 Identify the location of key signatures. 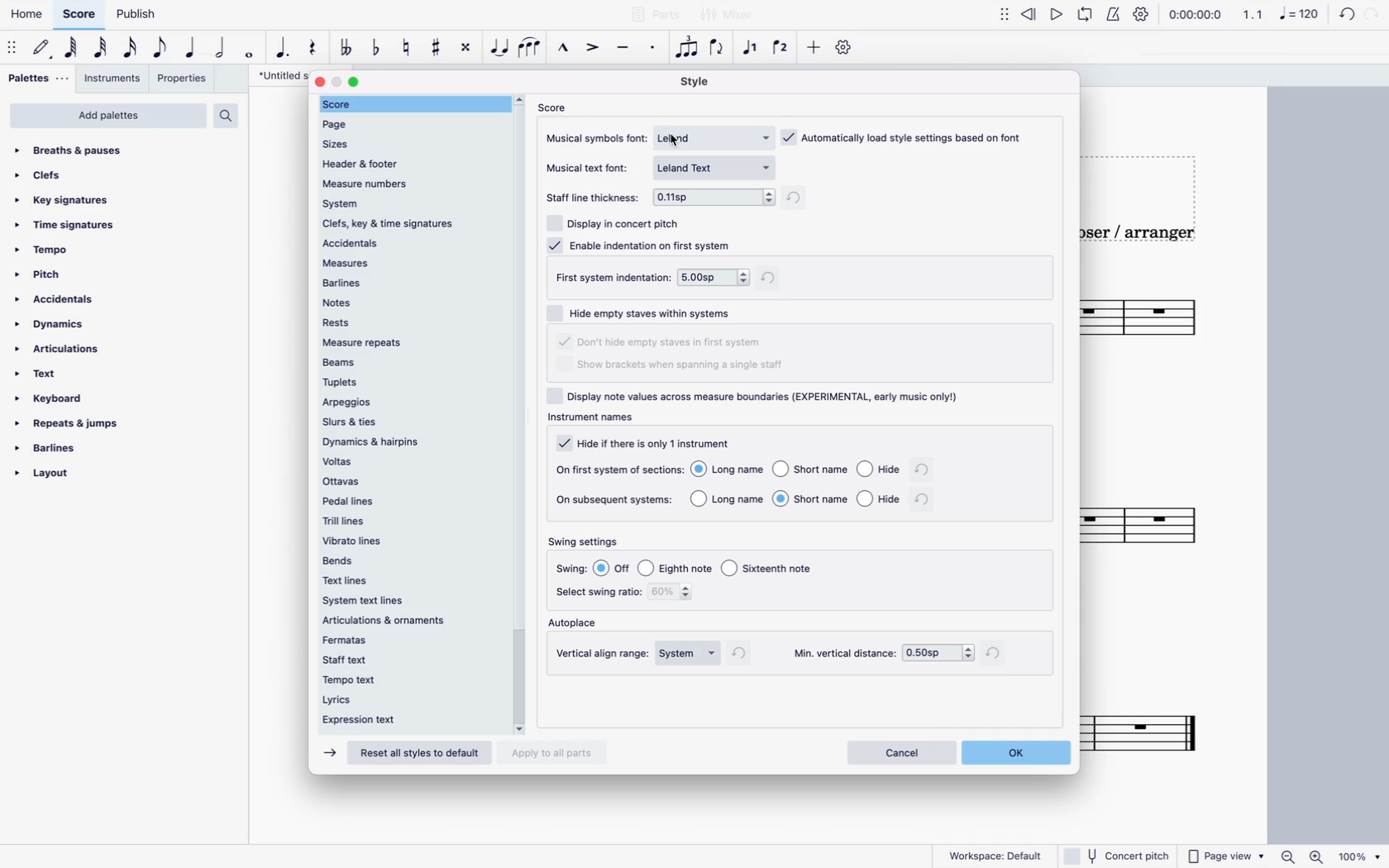
(64, 199).